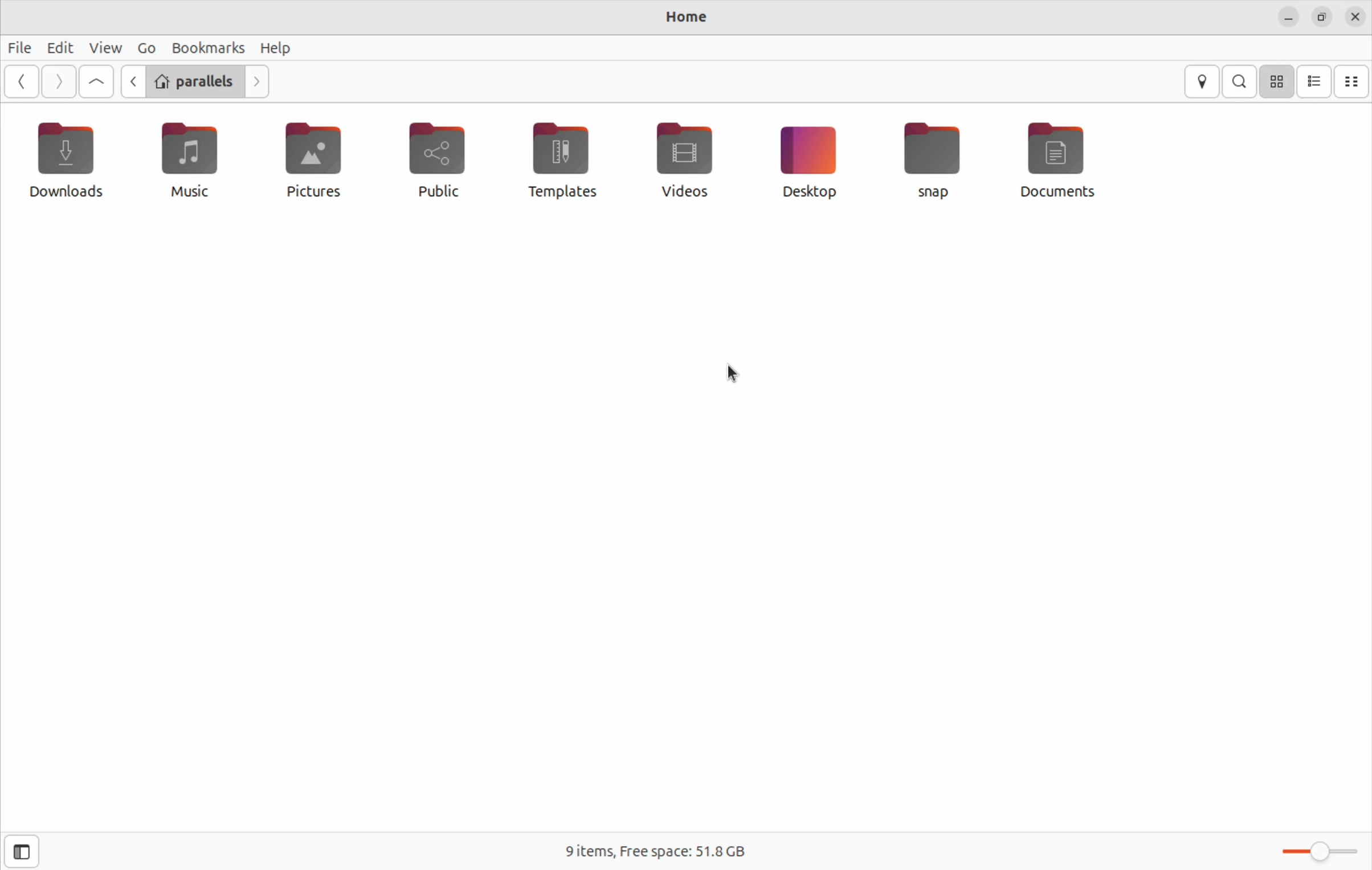 This screenshot has height=870, width=1372. I want to click on pictures, so click(314, 157).